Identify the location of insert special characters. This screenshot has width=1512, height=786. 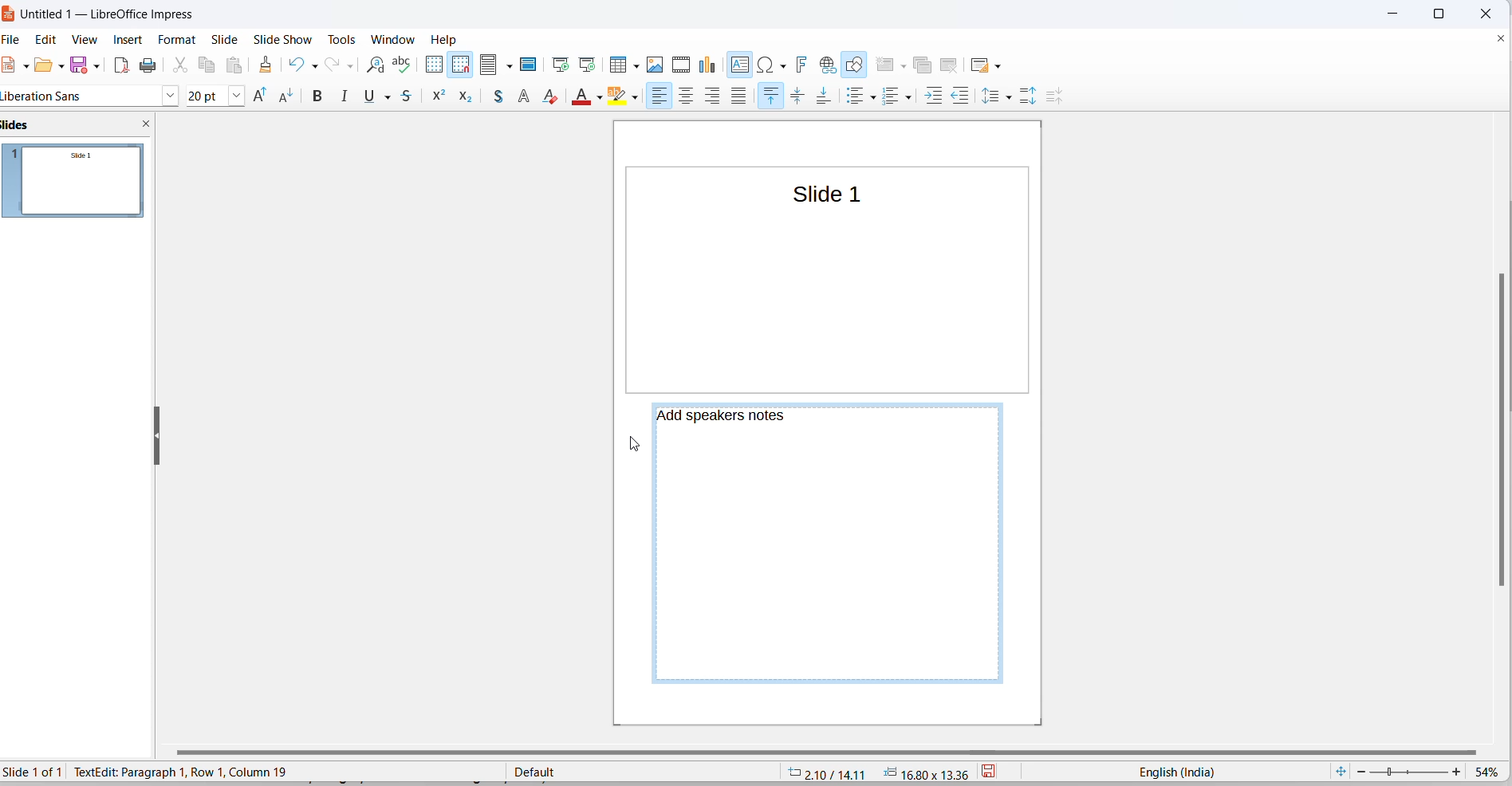
(765, 65).